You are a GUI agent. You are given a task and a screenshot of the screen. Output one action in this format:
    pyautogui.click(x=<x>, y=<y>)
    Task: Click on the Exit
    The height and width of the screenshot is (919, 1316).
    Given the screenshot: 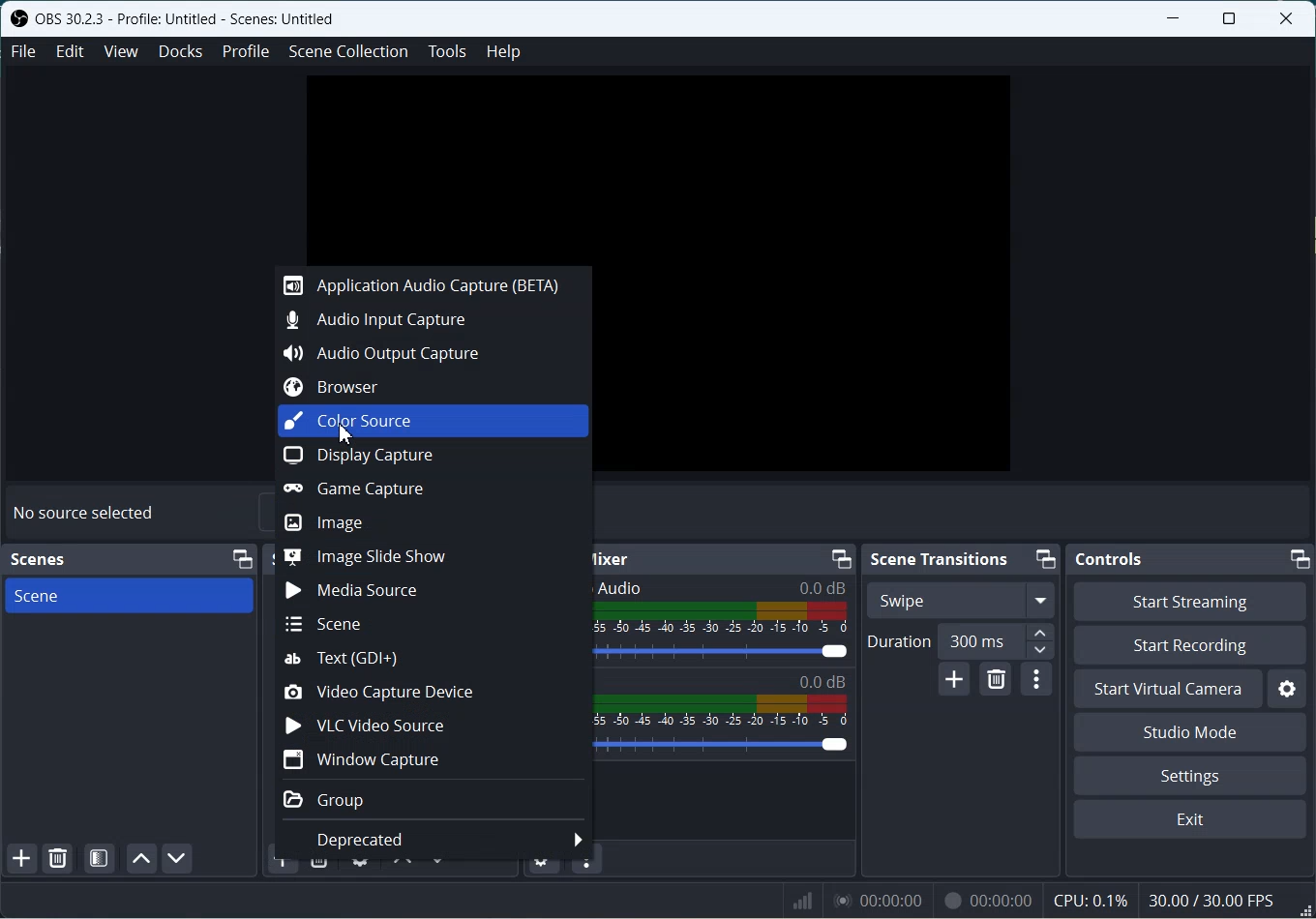 What is the action you would take?
    pyautogui.click(x=1189, y=819)
    